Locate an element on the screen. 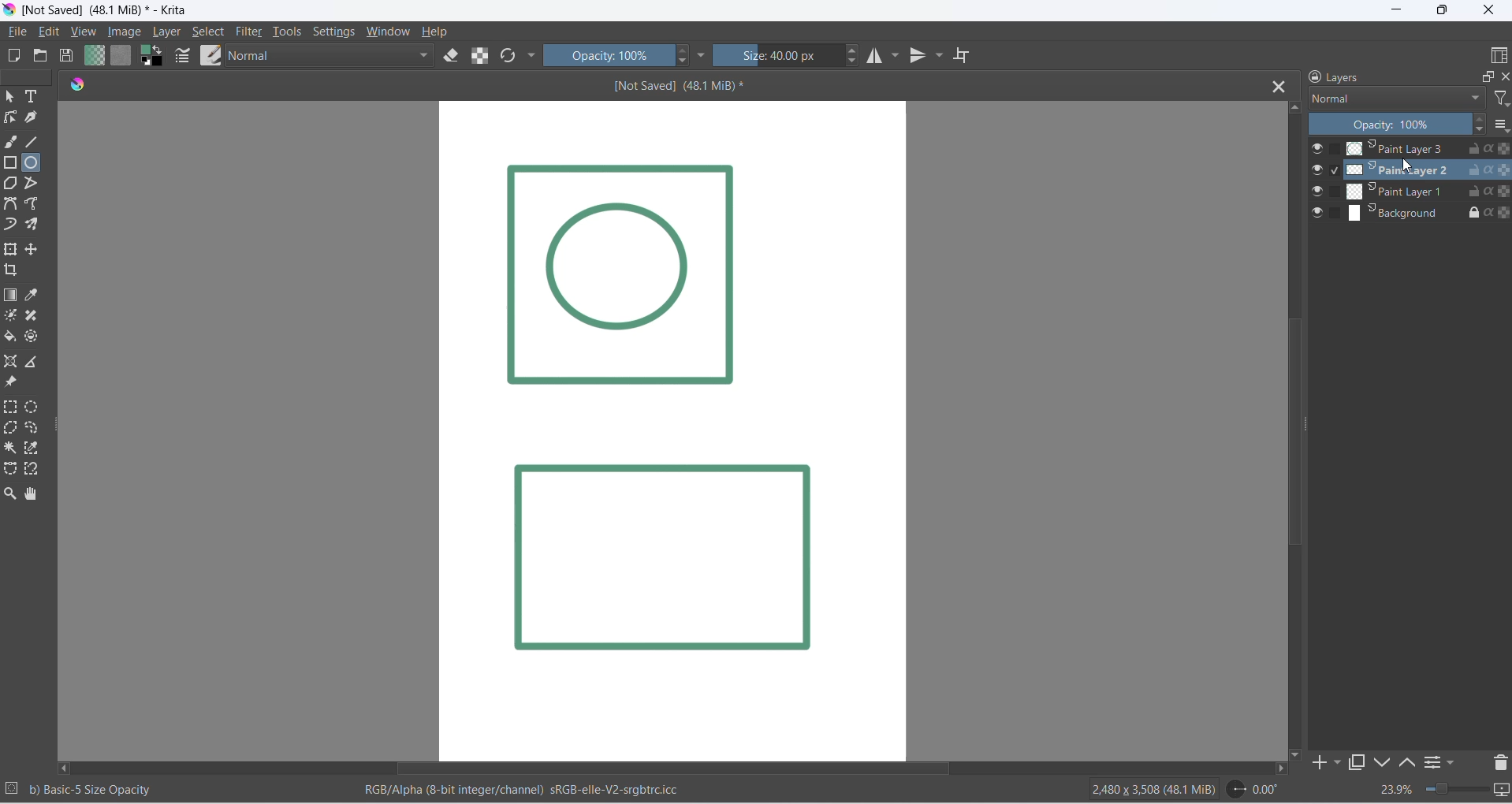 Image resolution: width=1512 pixels, height=804 pixels. Preserver Alpha is located at coordinates (1497, 190).